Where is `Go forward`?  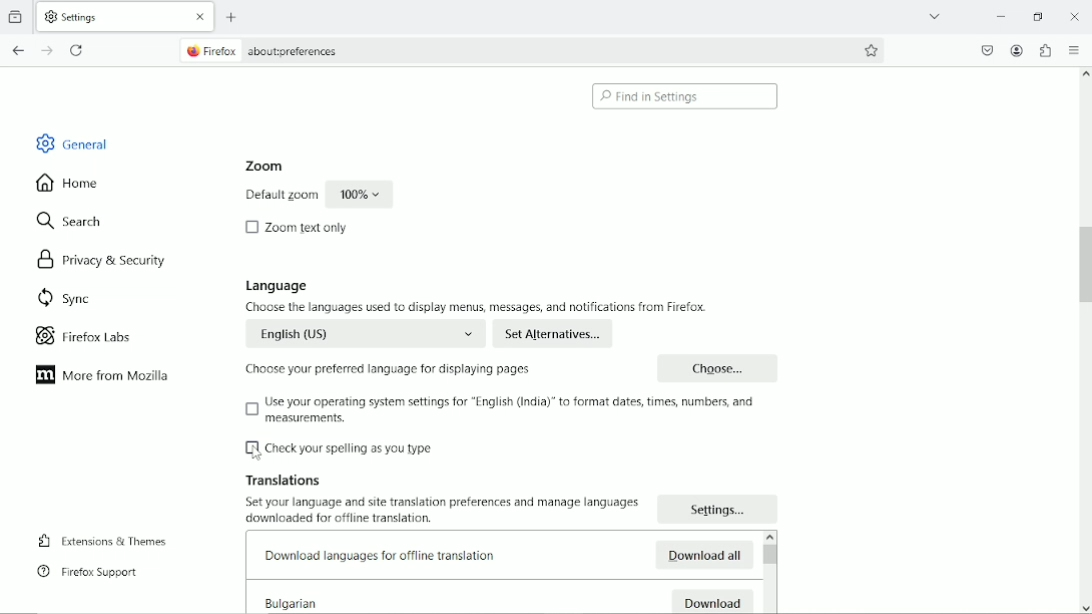 Go forward is located at coordinates (48, 50).